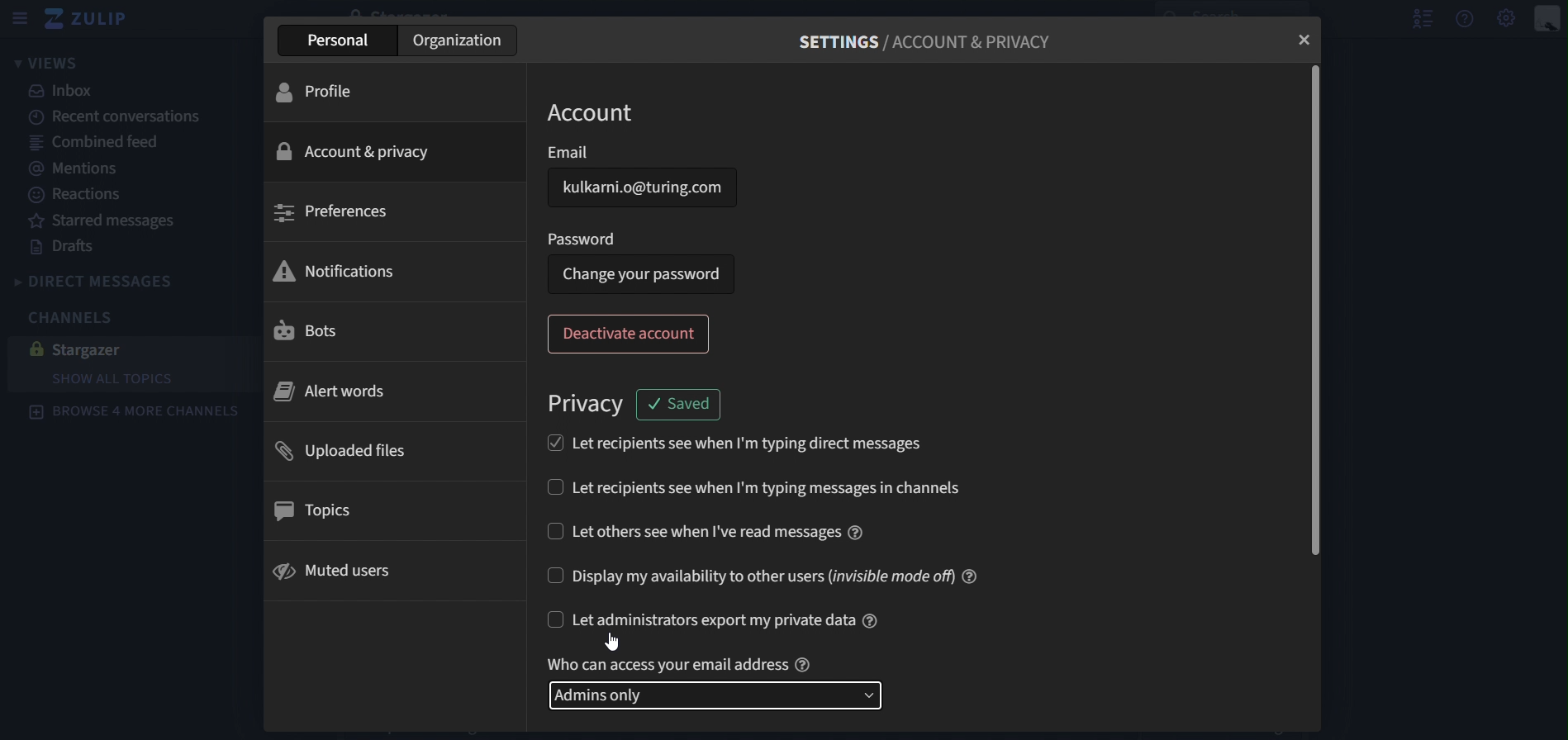  What do you see at coordinates (638, 274) in the screenshot?
I see `change your password` at bounding box center [638, 274].